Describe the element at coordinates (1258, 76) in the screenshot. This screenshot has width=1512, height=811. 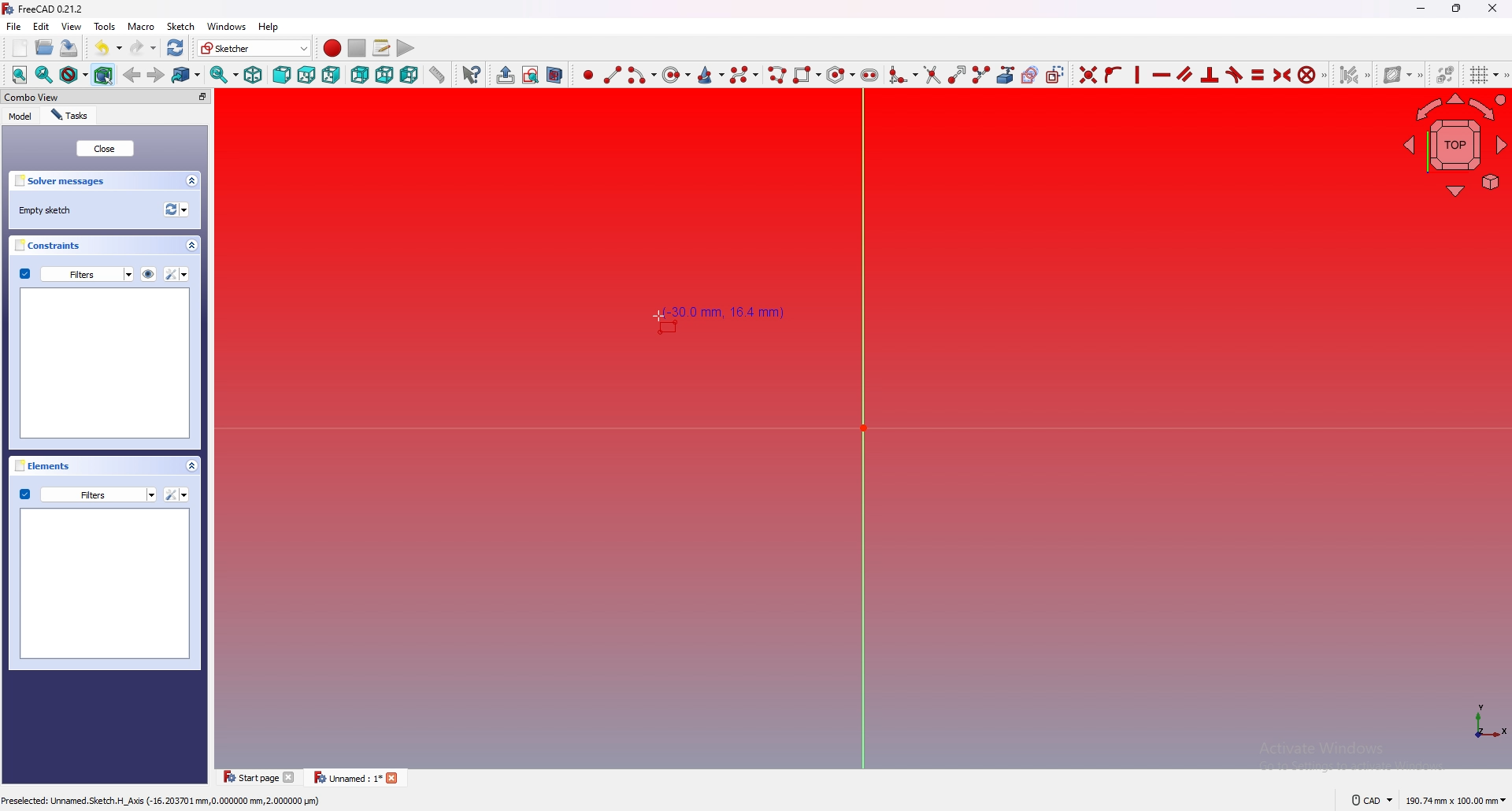
I see `constraint equal` at that location.